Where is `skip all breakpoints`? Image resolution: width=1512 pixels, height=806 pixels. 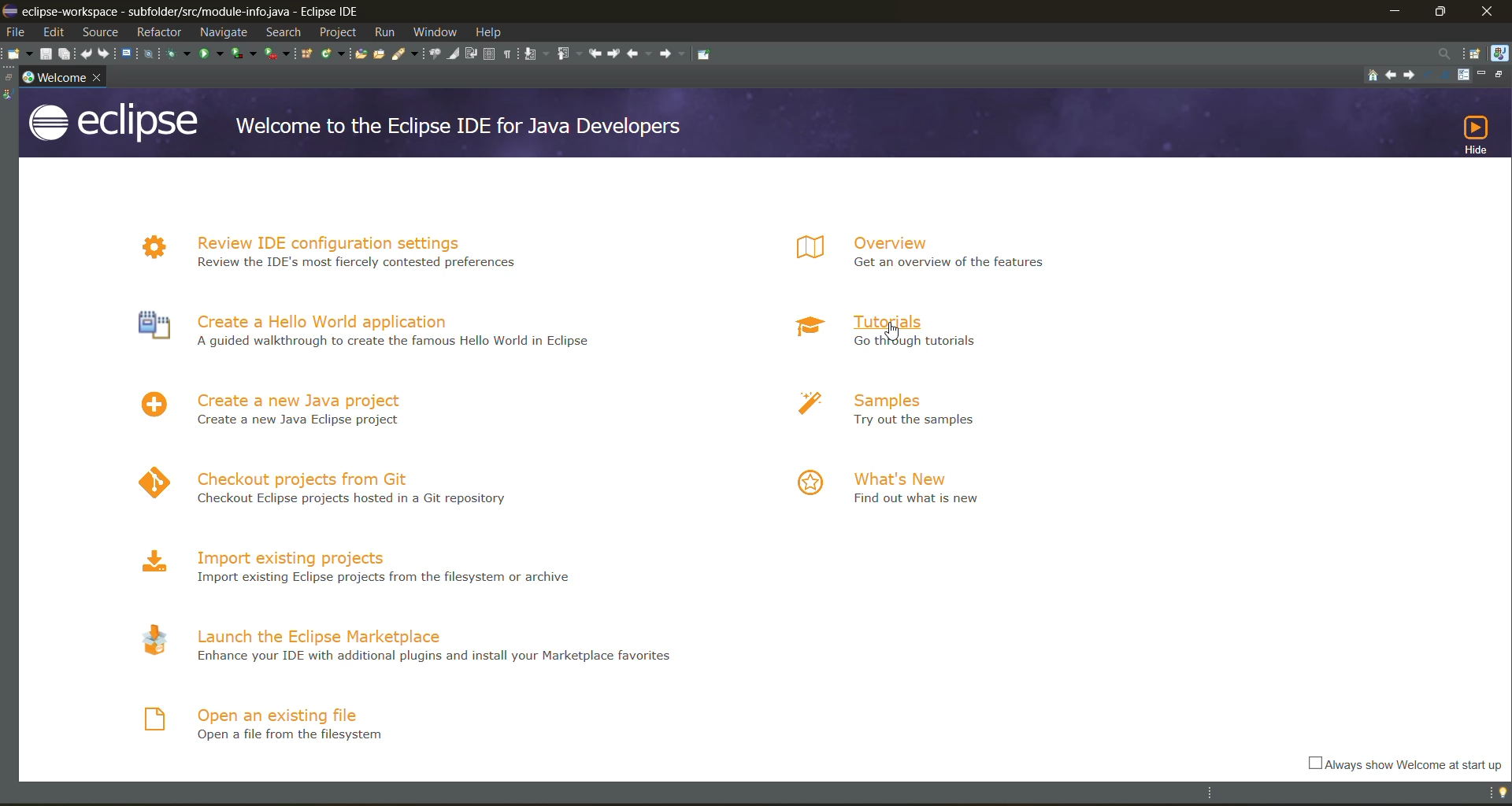 skip all breakpoints is located at coordinates (151, 54).